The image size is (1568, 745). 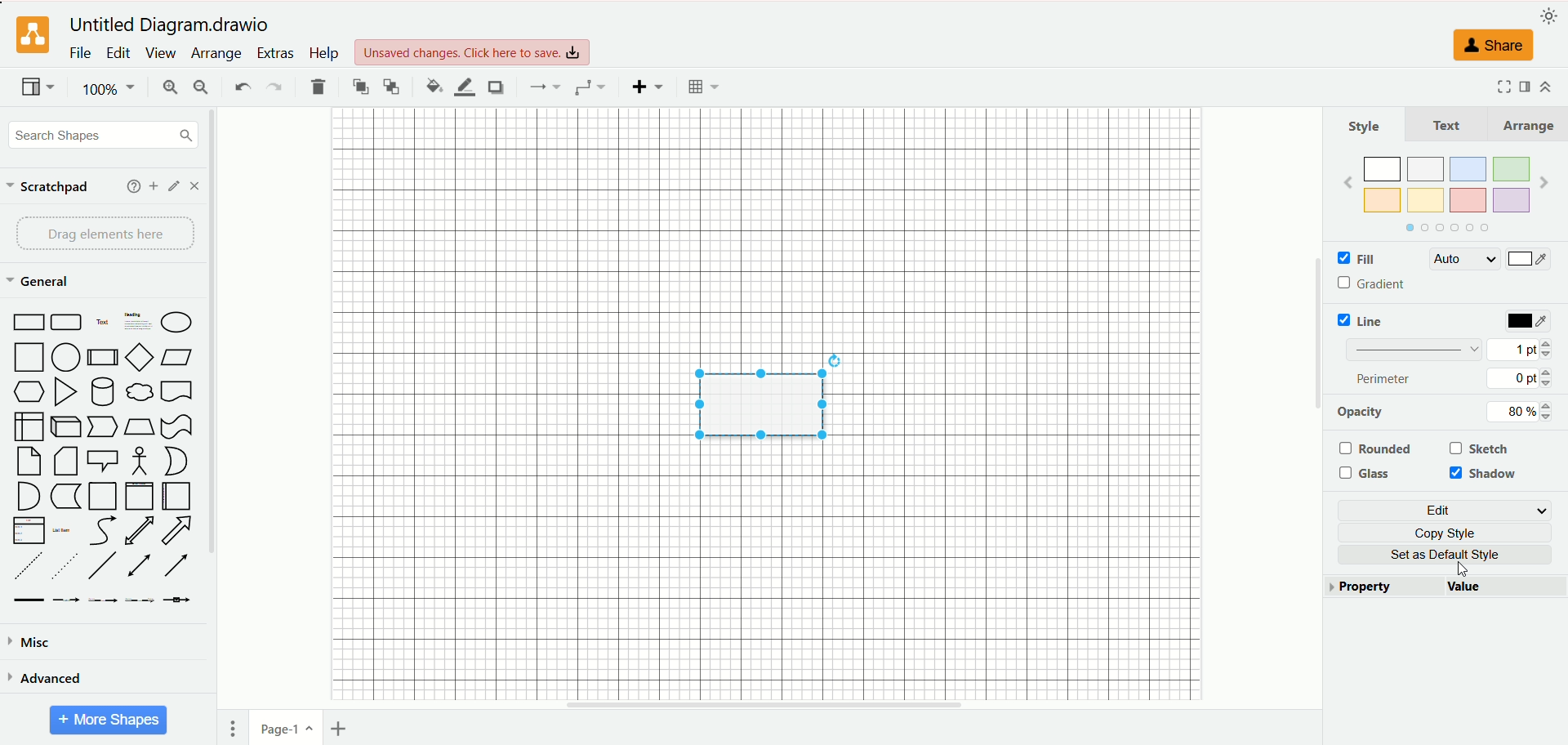 I want to click on insert page, so click(x=342, y=729).